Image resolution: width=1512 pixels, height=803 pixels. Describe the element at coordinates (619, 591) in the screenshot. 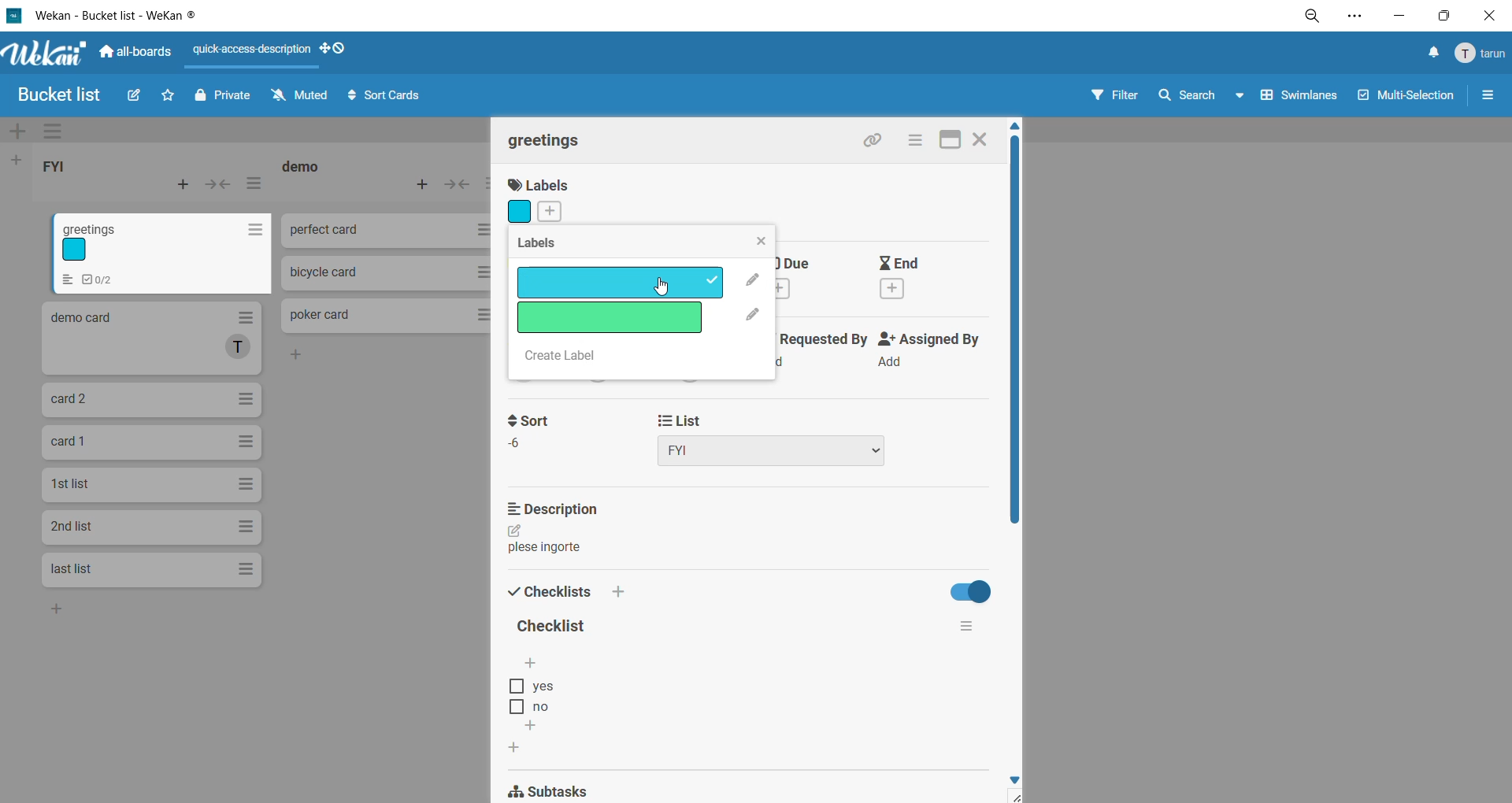

I see `add checklist` at that location.